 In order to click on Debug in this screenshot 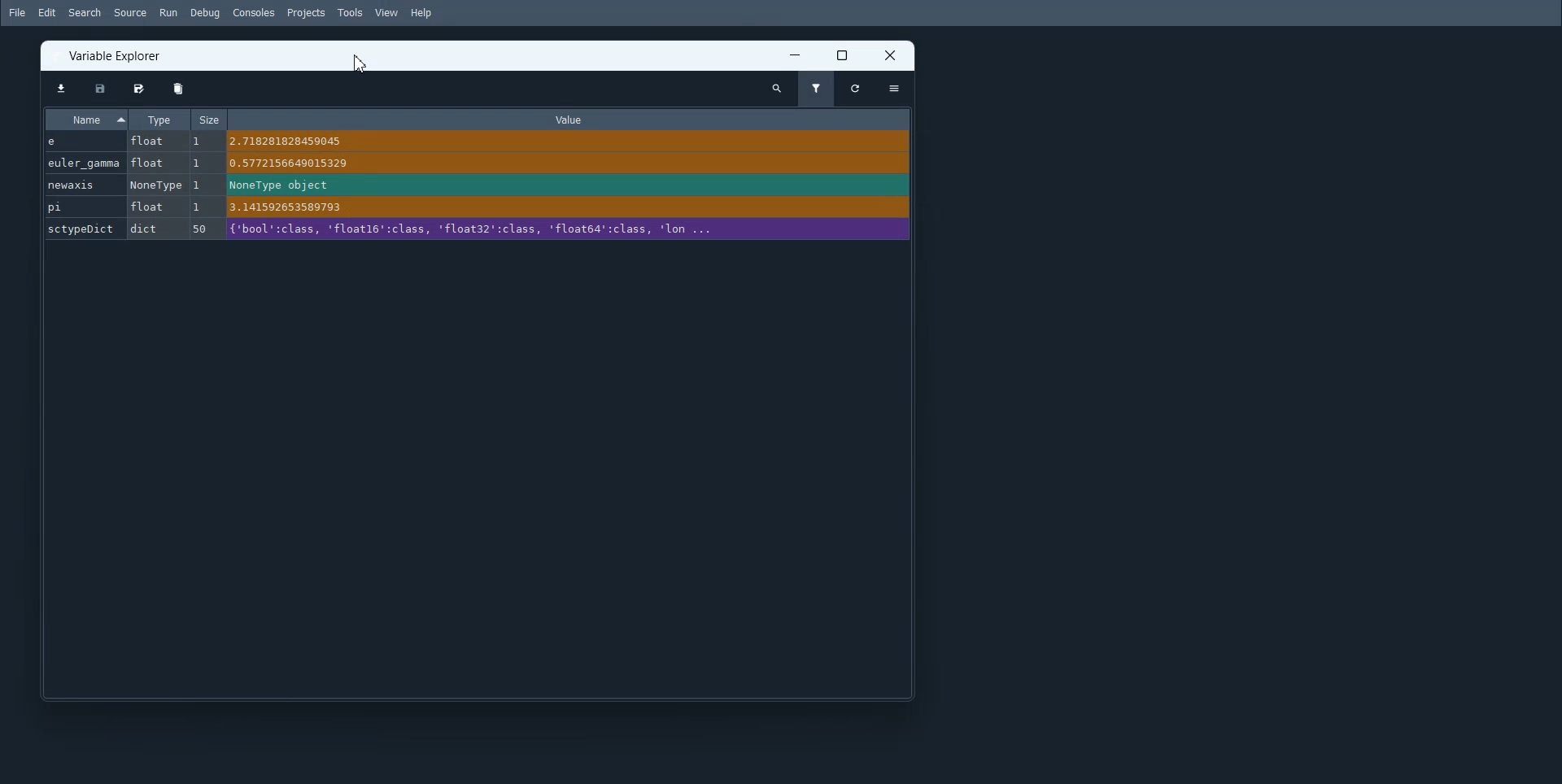, I will do `click(203, 13)`.